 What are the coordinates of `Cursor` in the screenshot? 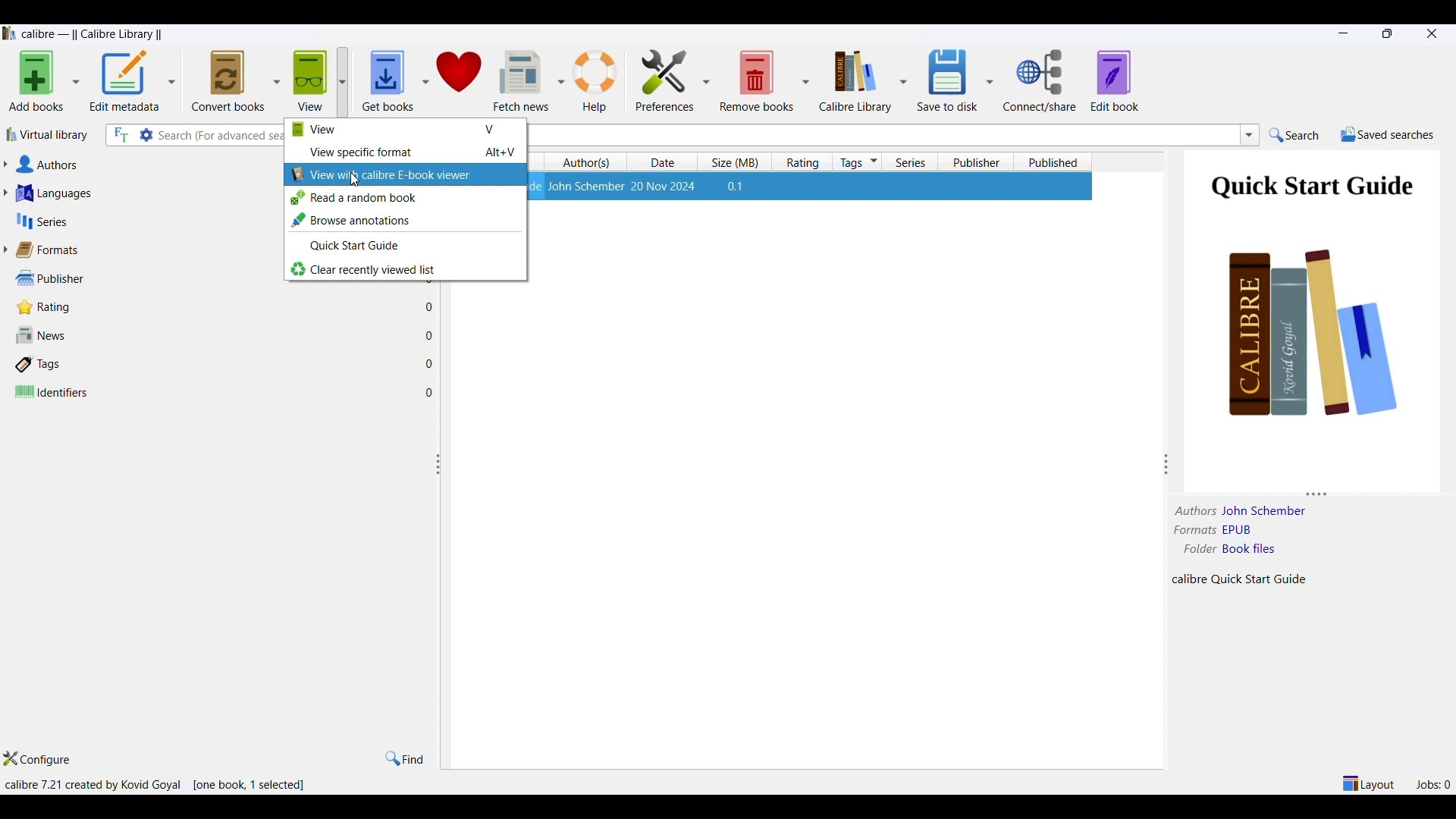 It's located at (355, 183).